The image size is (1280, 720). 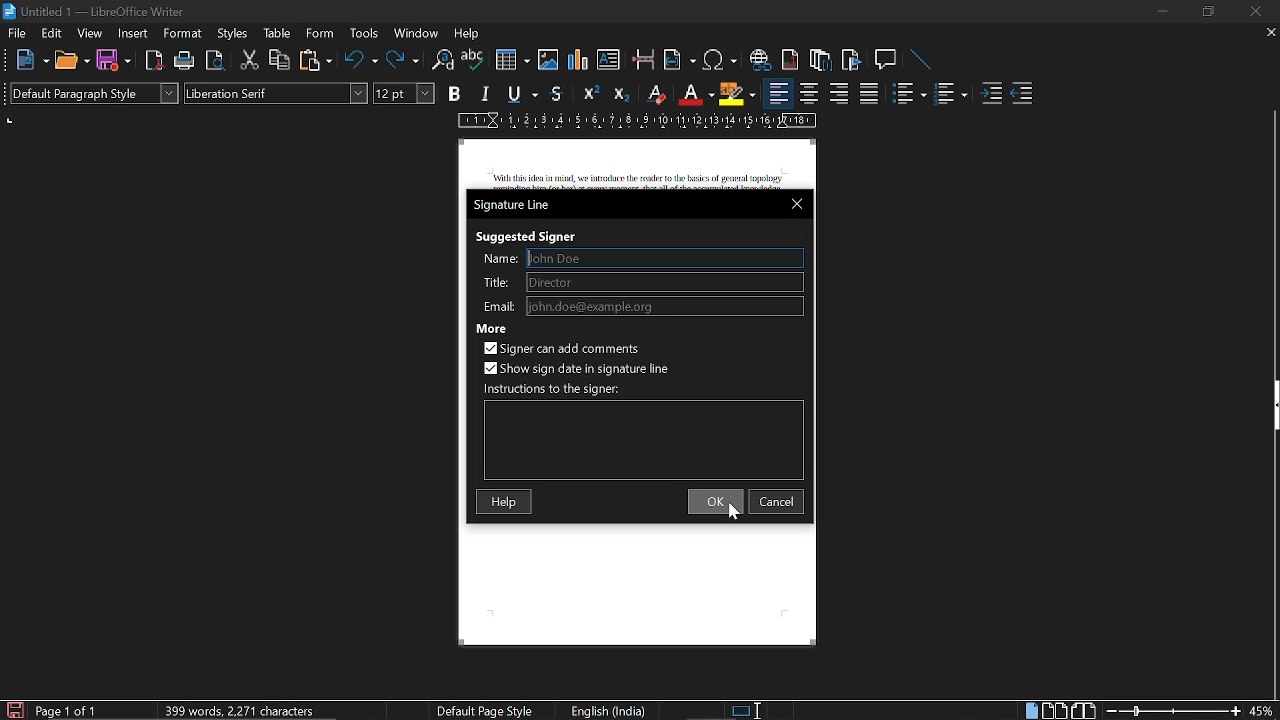 What do you see at coordinates (402, 60) in the screenshot?
I see `redo` at bounding box center [402, 60].